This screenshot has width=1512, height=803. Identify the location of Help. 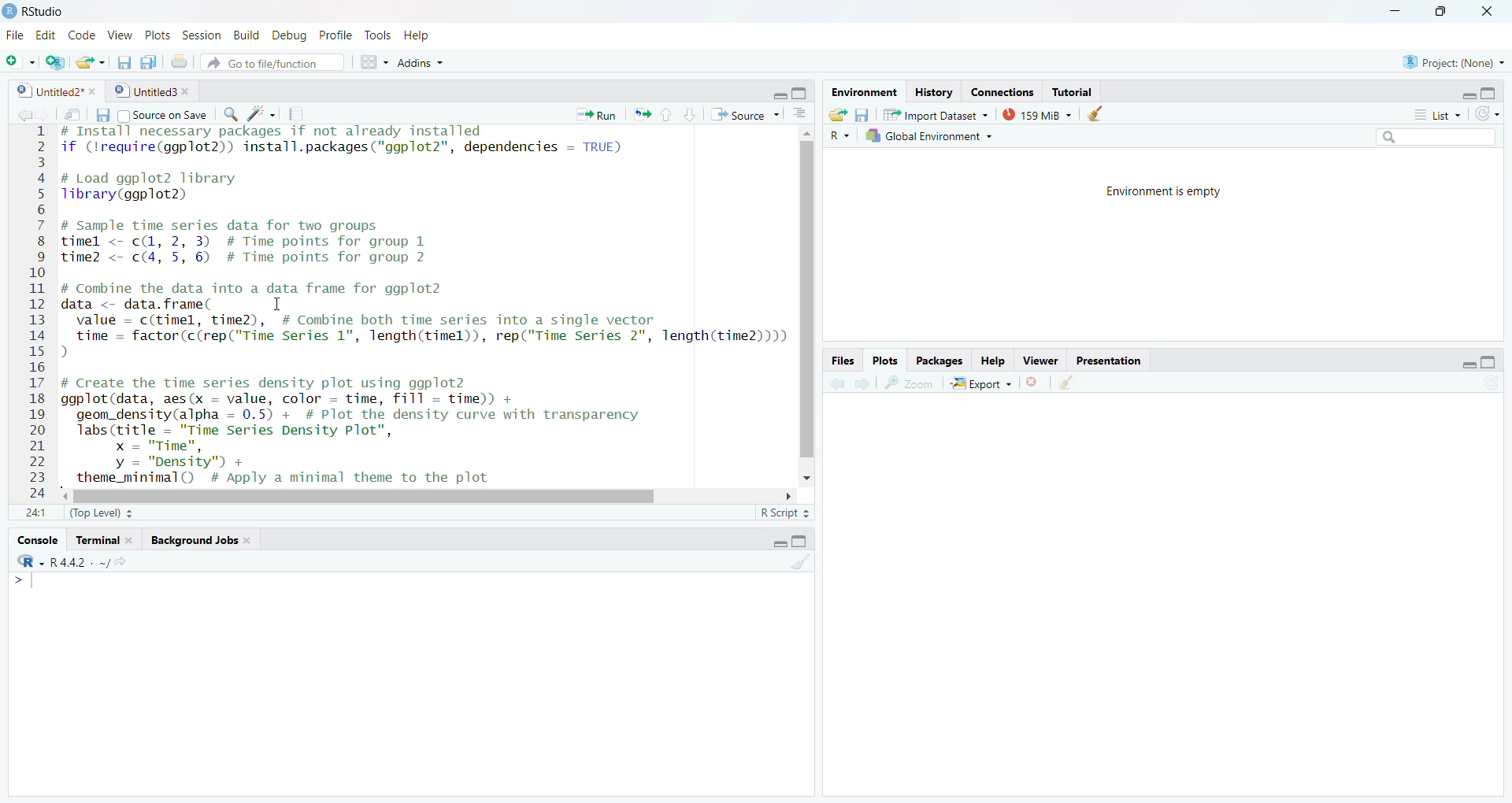
(419, 35).